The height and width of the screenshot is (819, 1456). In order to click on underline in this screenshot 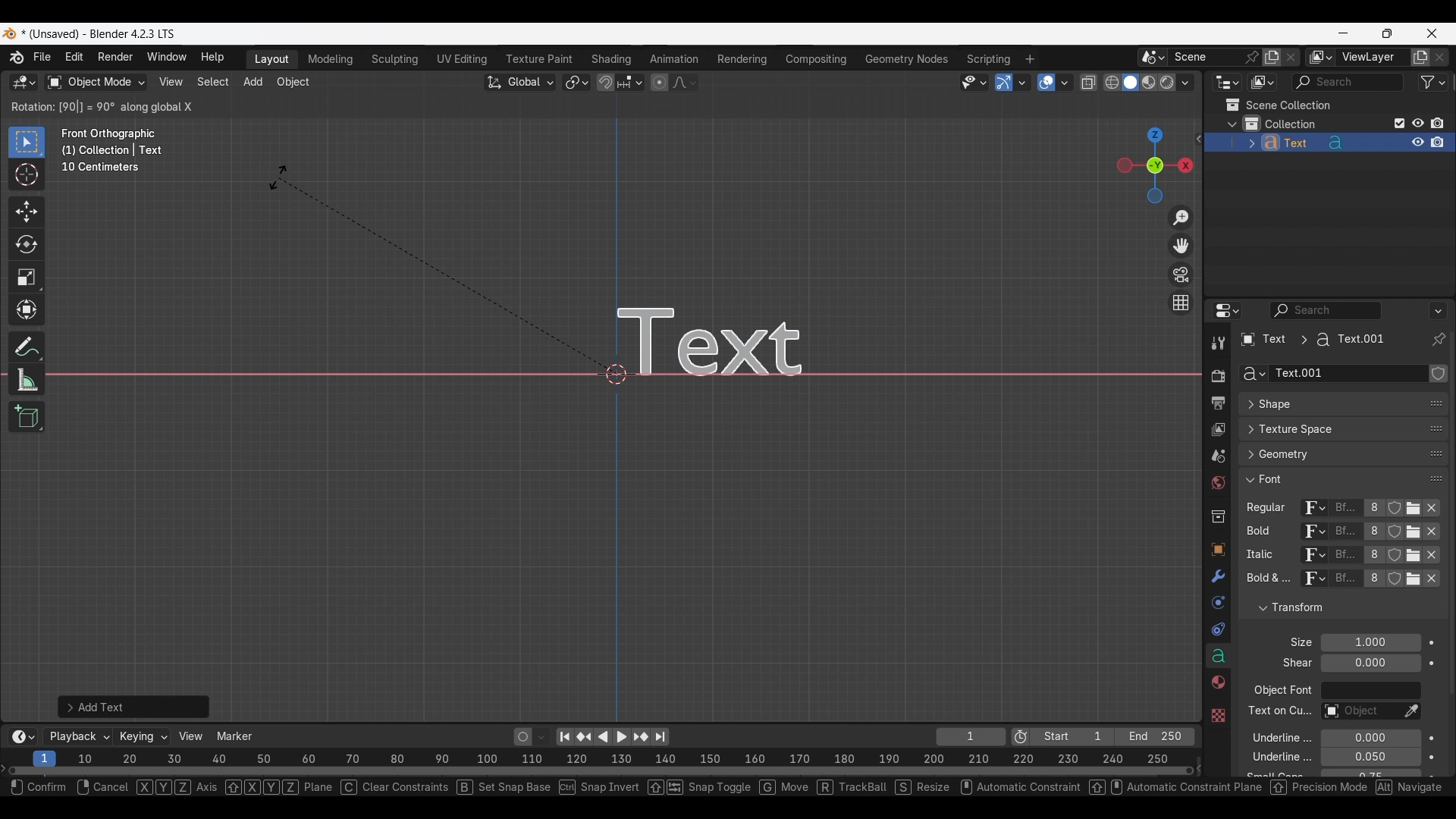, I will do `click(1272, 737)`.